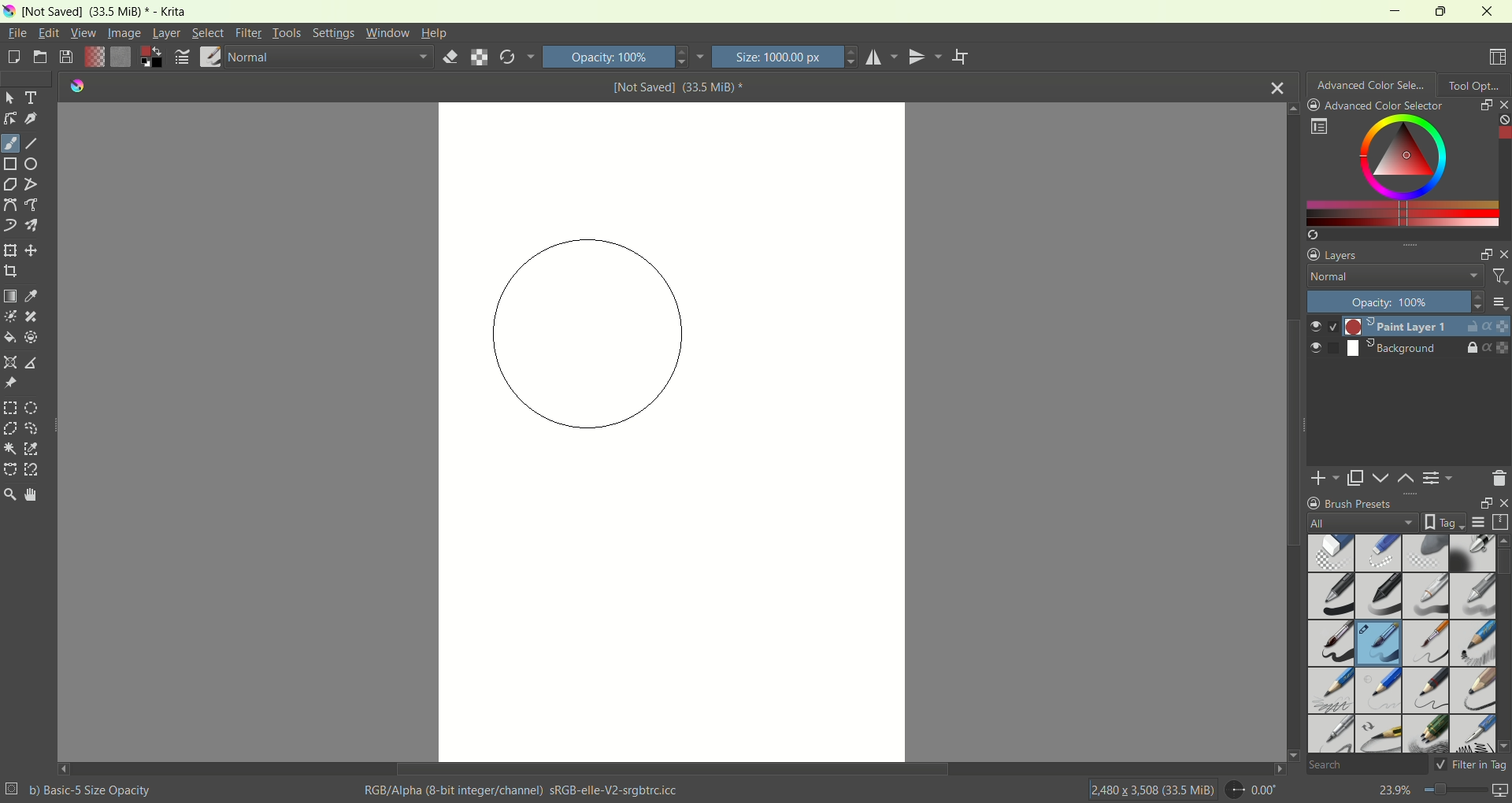 The image size is (1512, 803). What do you see at coordinates (73, 86) in the screenshot?
I see `logo` at bounding box center [73, 86].